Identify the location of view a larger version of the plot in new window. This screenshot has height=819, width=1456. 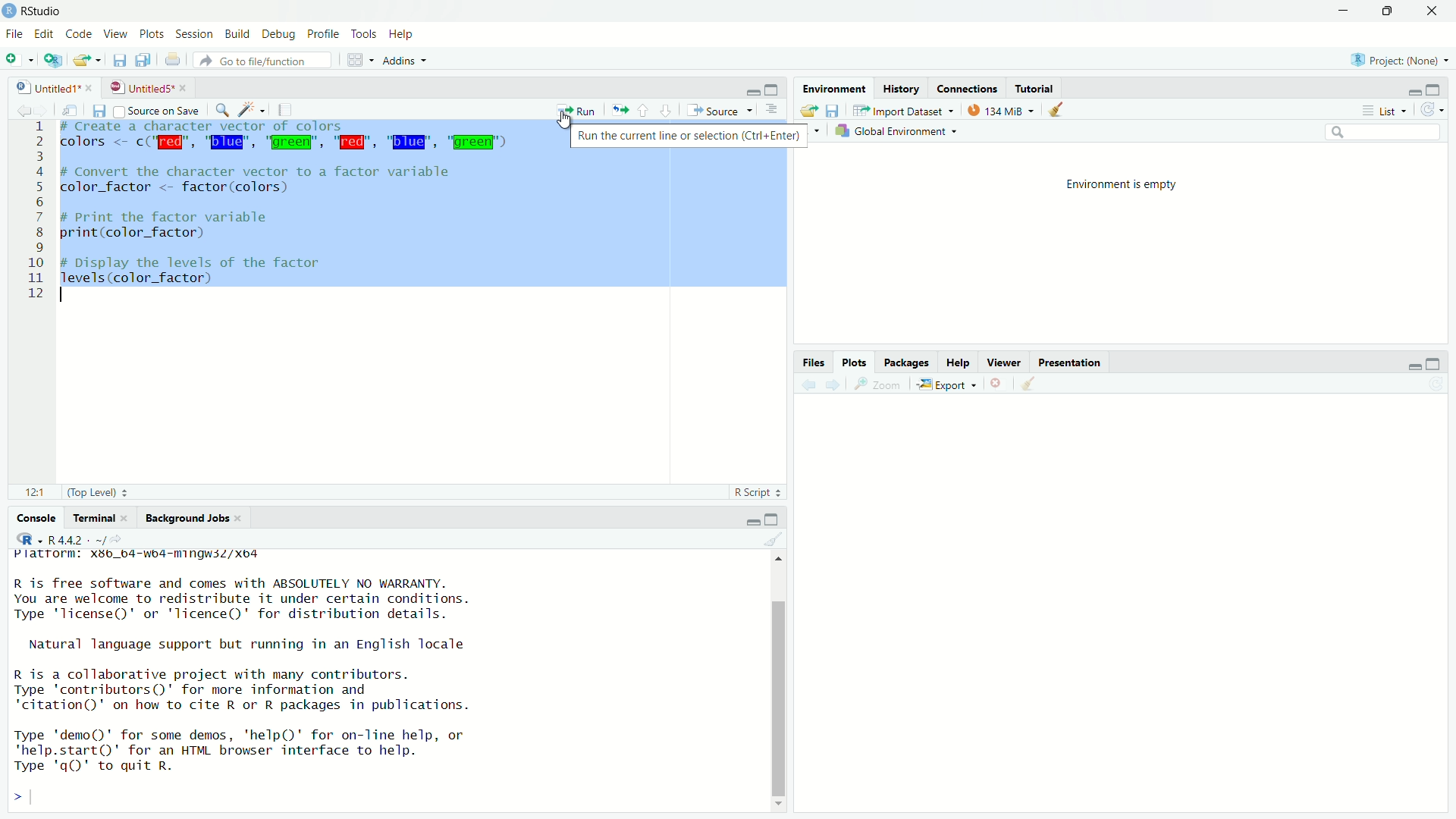
(877, 385).